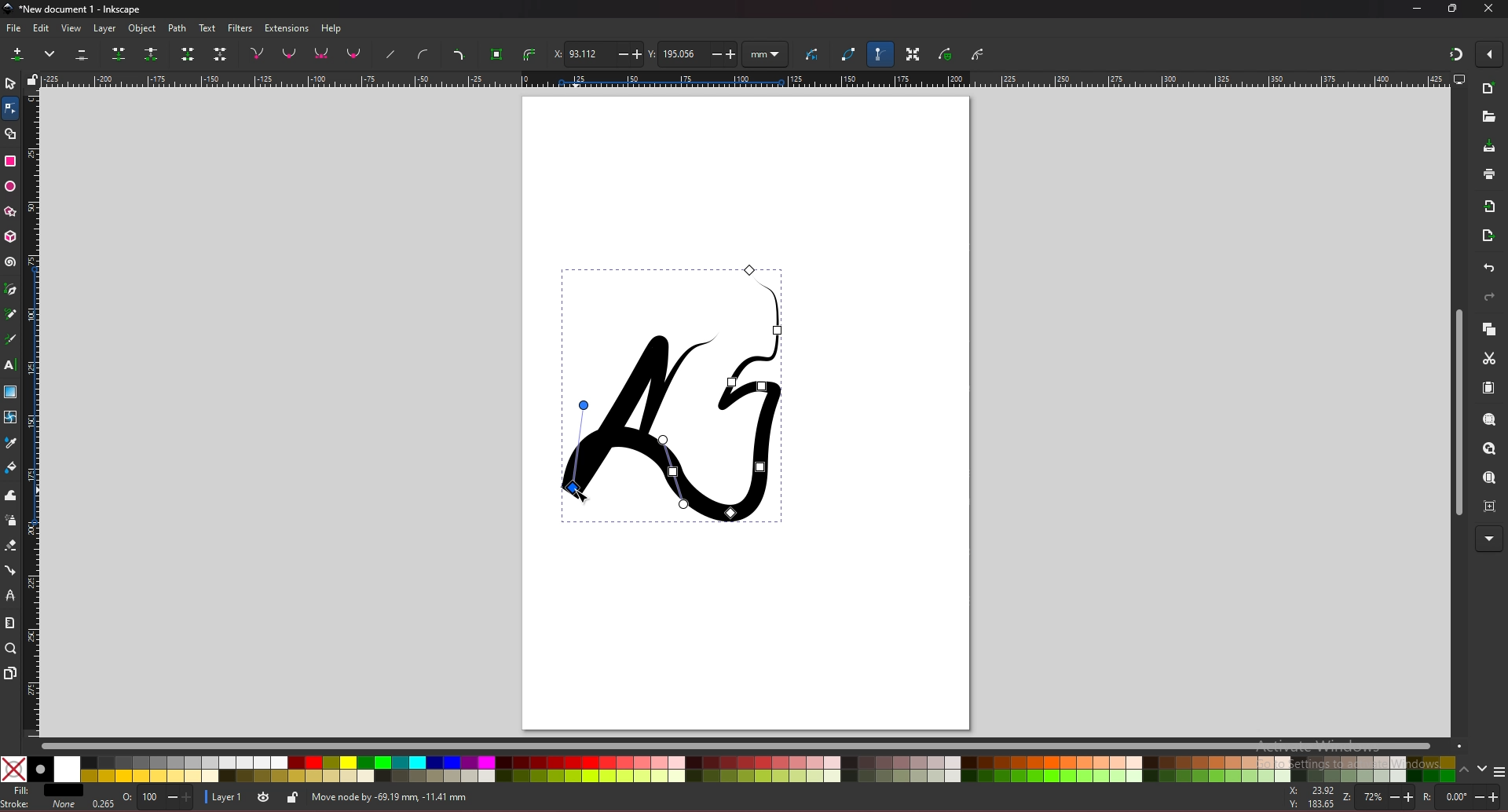 This screenshot has width=1508, height=812. Describe the element at coordinates (1489, 9) in the screenshot. I see `close` at that location.